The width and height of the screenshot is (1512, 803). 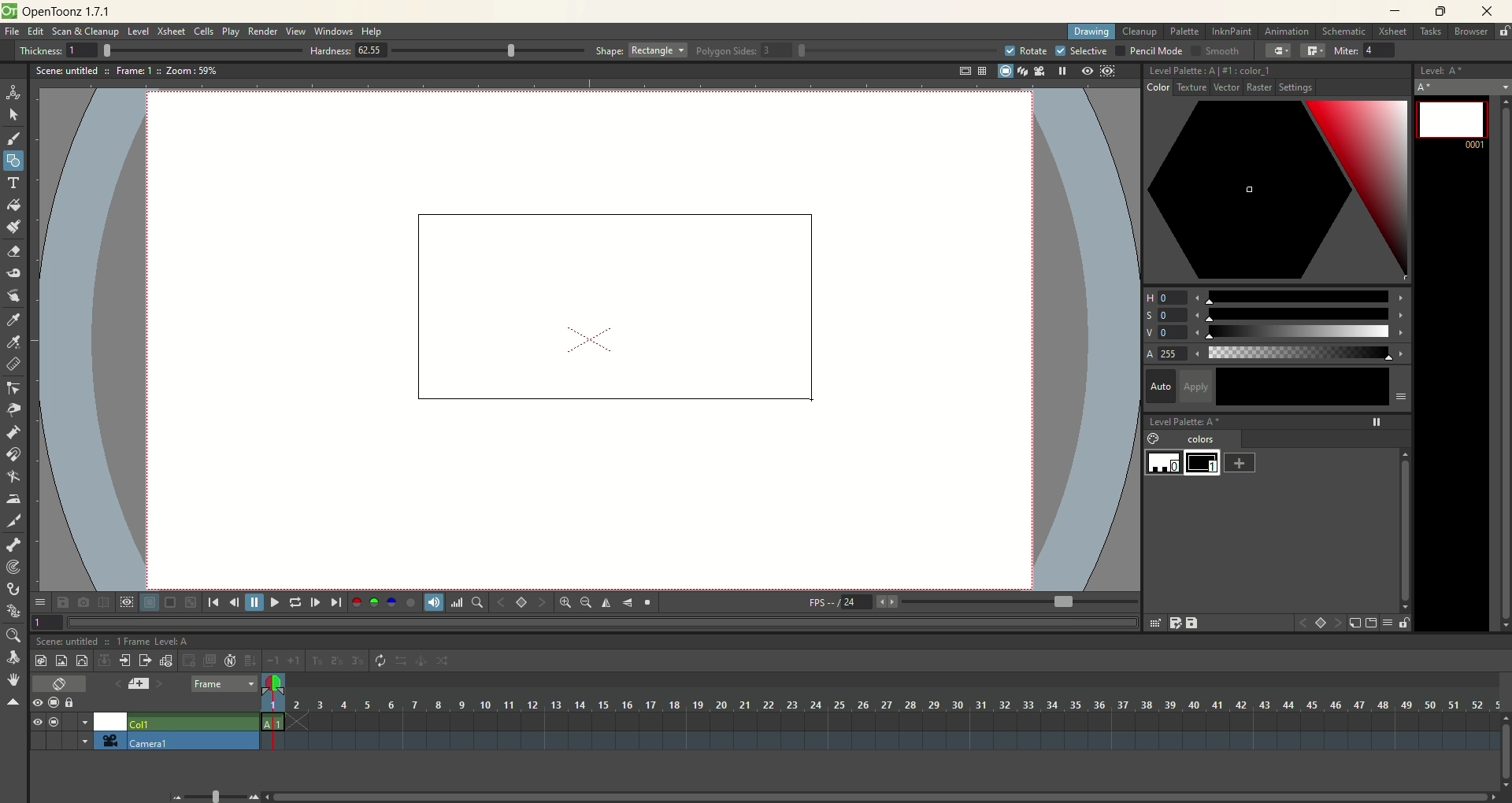 What do you see at coordinates (12, 612) in the screenshot?
I see `plastic` at bounding box center [12, 612].